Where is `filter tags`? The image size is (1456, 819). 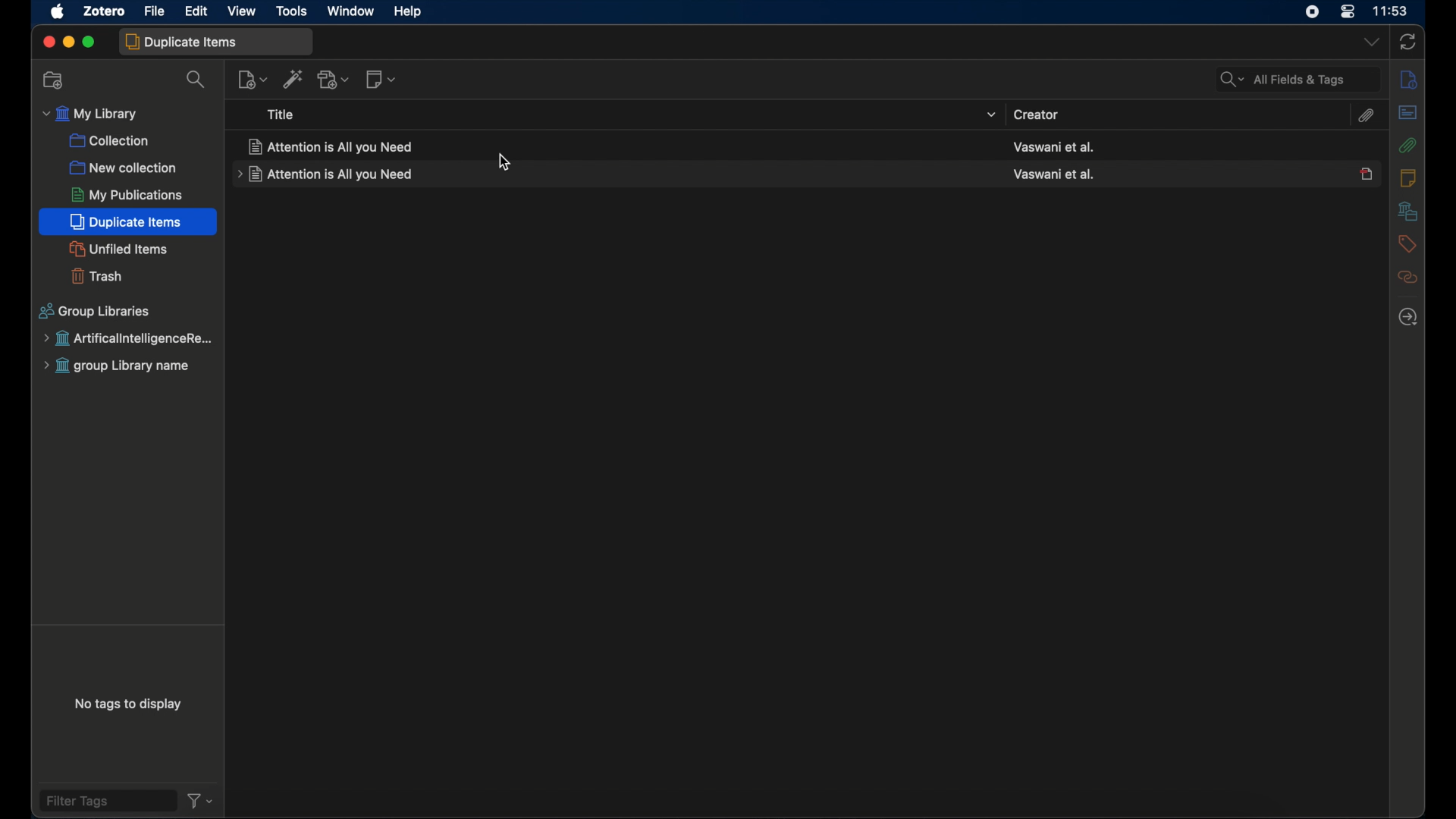 filter tags is located at coordinates (105, 801).